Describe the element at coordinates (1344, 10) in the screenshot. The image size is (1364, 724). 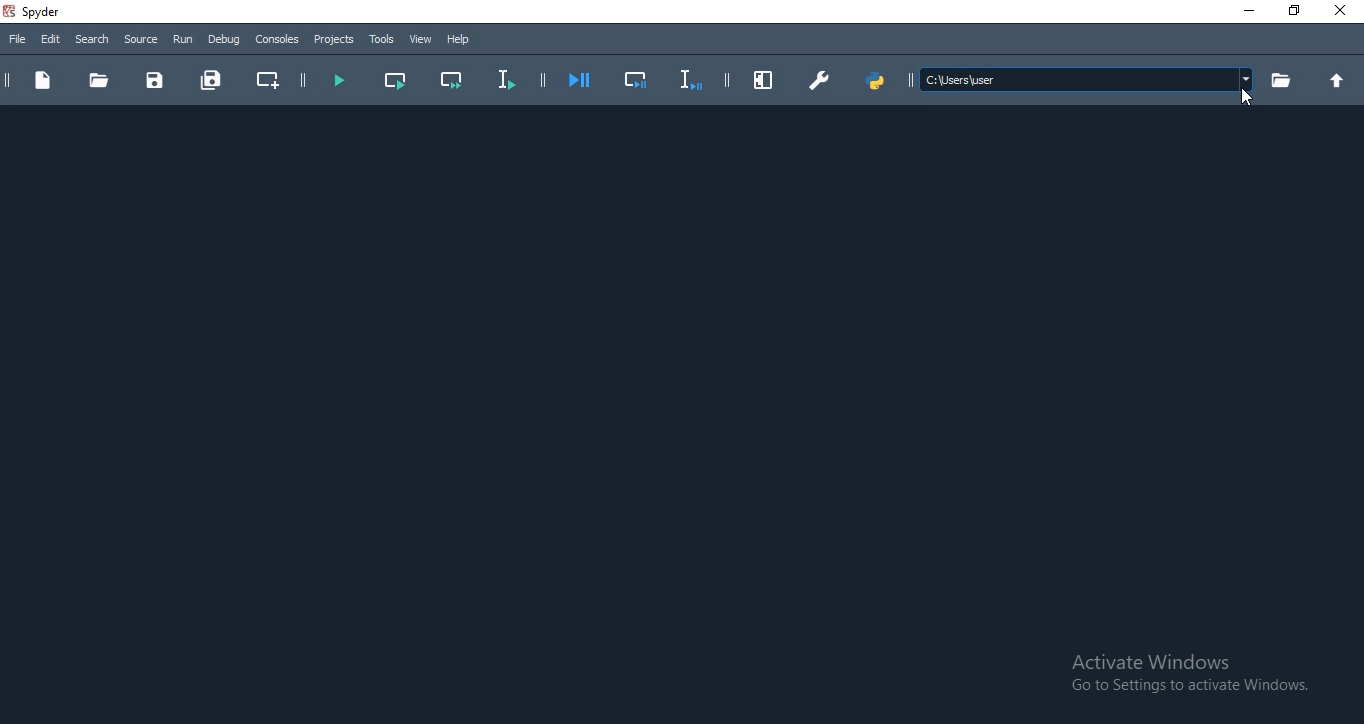
I see `Close` at that location.